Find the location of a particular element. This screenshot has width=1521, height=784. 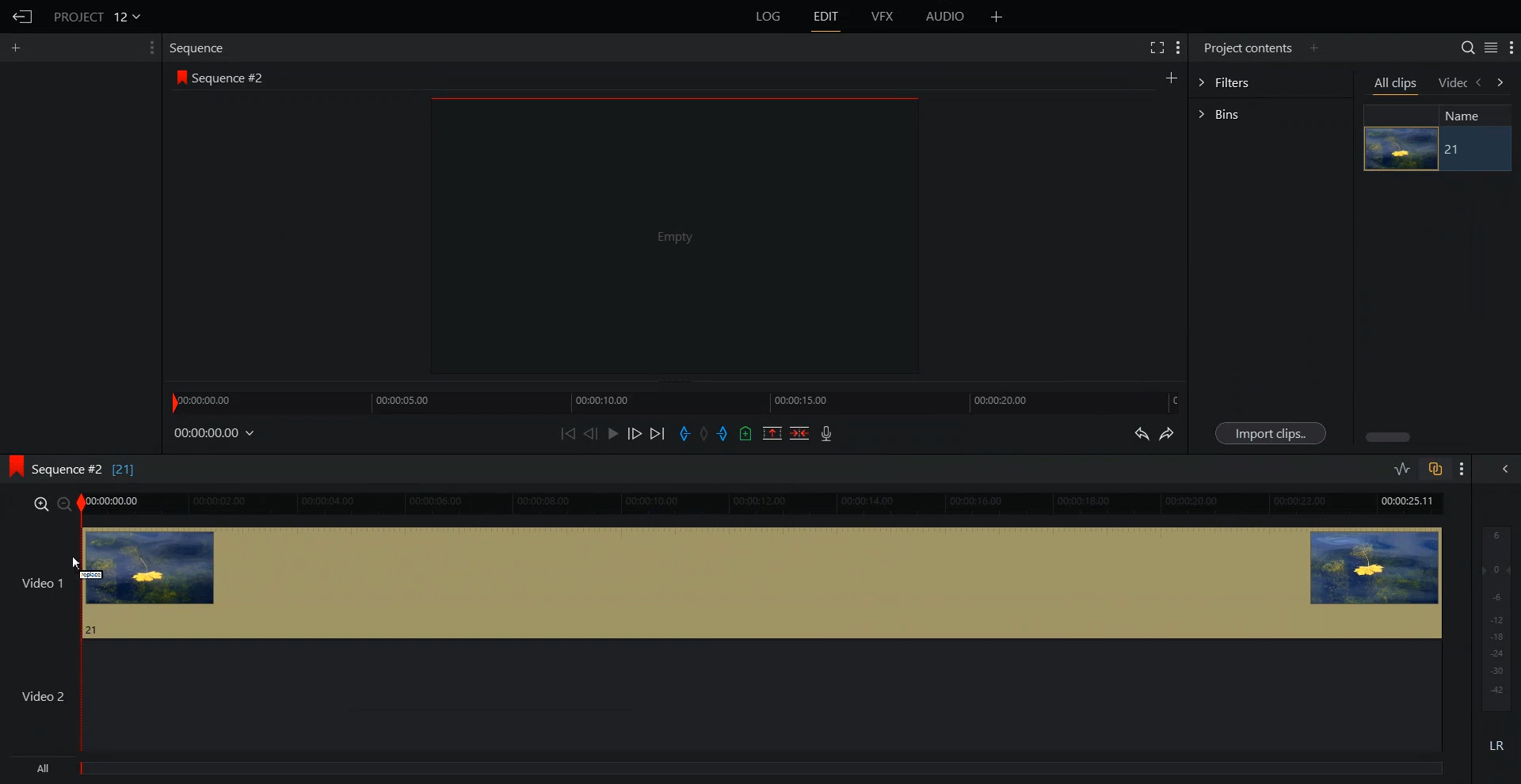

Add an cue to current position is located at coordinates (746, 433).